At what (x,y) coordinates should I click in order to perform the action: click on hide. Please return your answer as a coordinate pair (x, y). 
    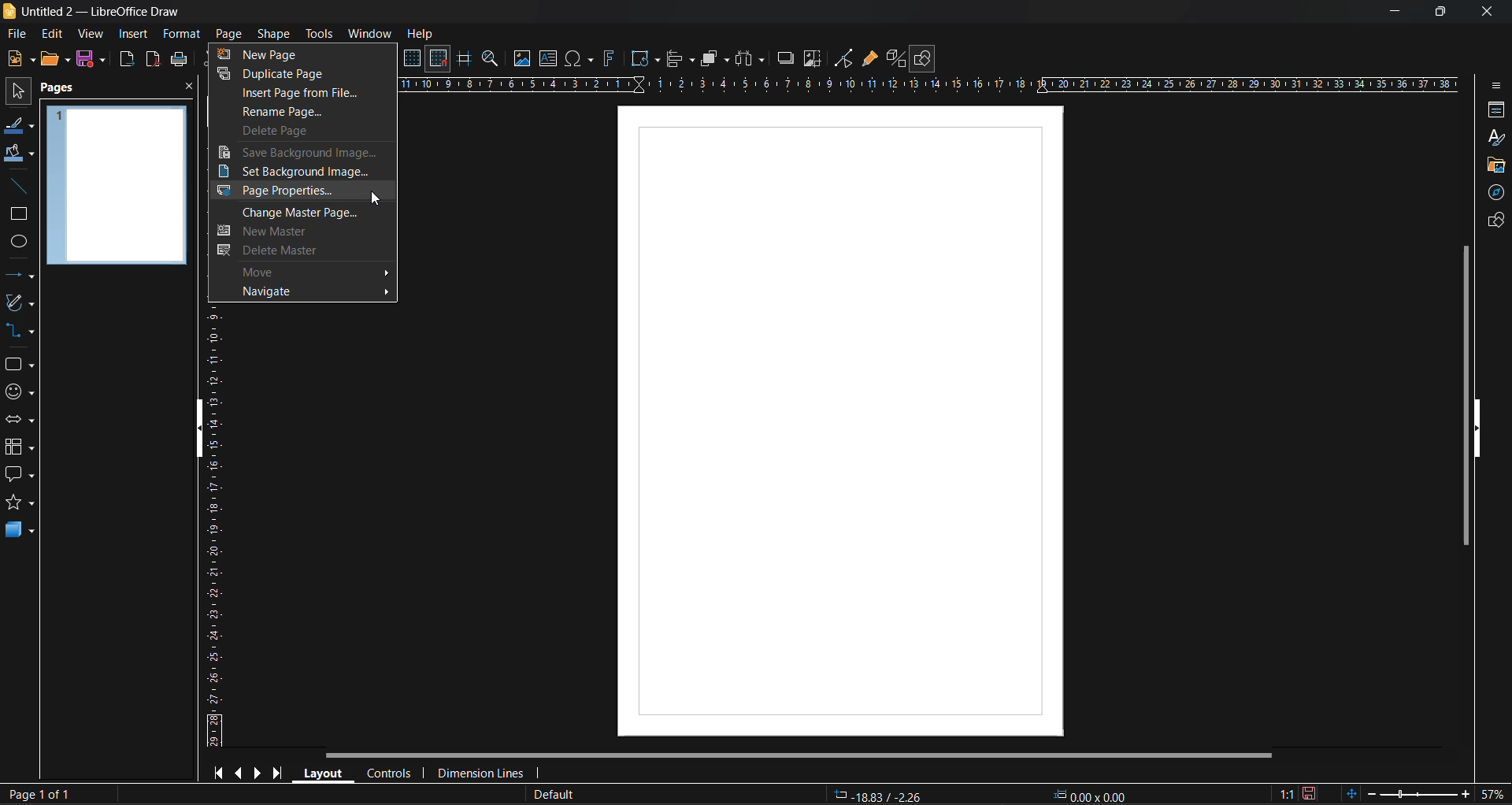
    Looking at the image, I should click on (1477, 429).